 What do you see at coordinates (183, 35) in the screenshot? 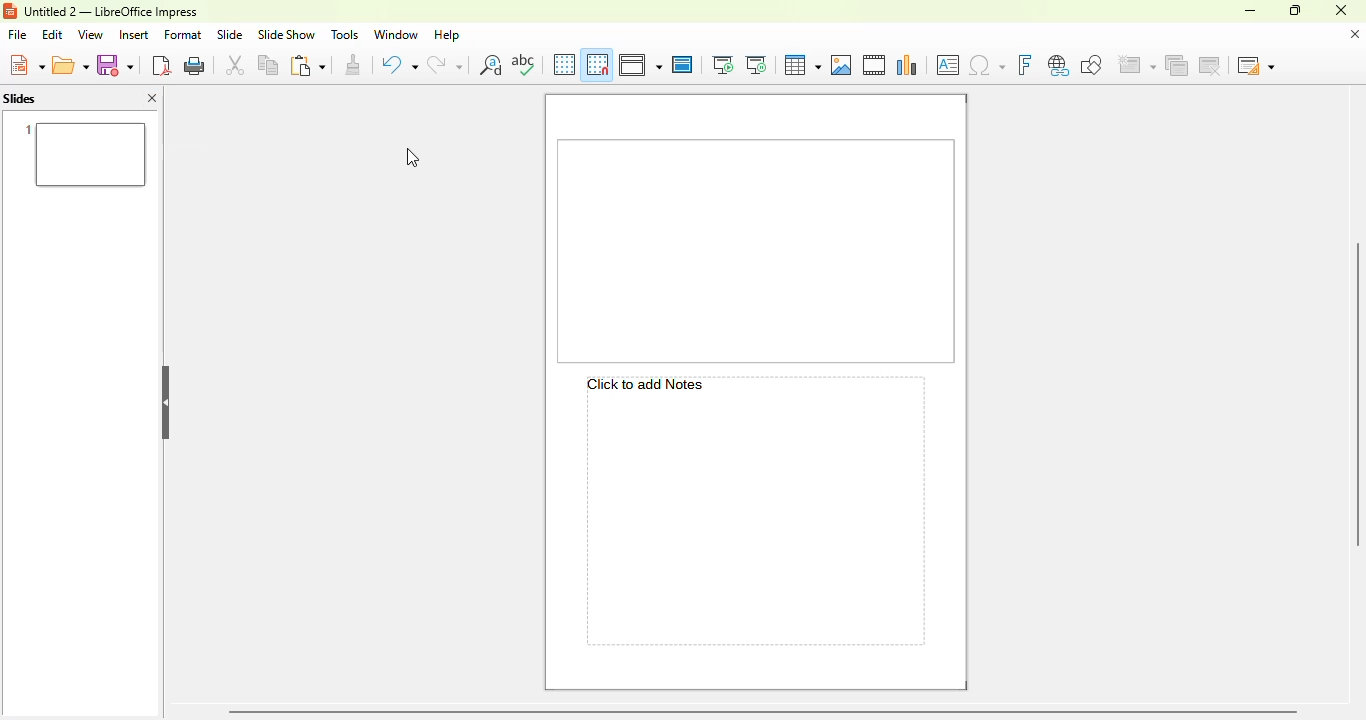
I see `format` at bounding box center [183, 35].